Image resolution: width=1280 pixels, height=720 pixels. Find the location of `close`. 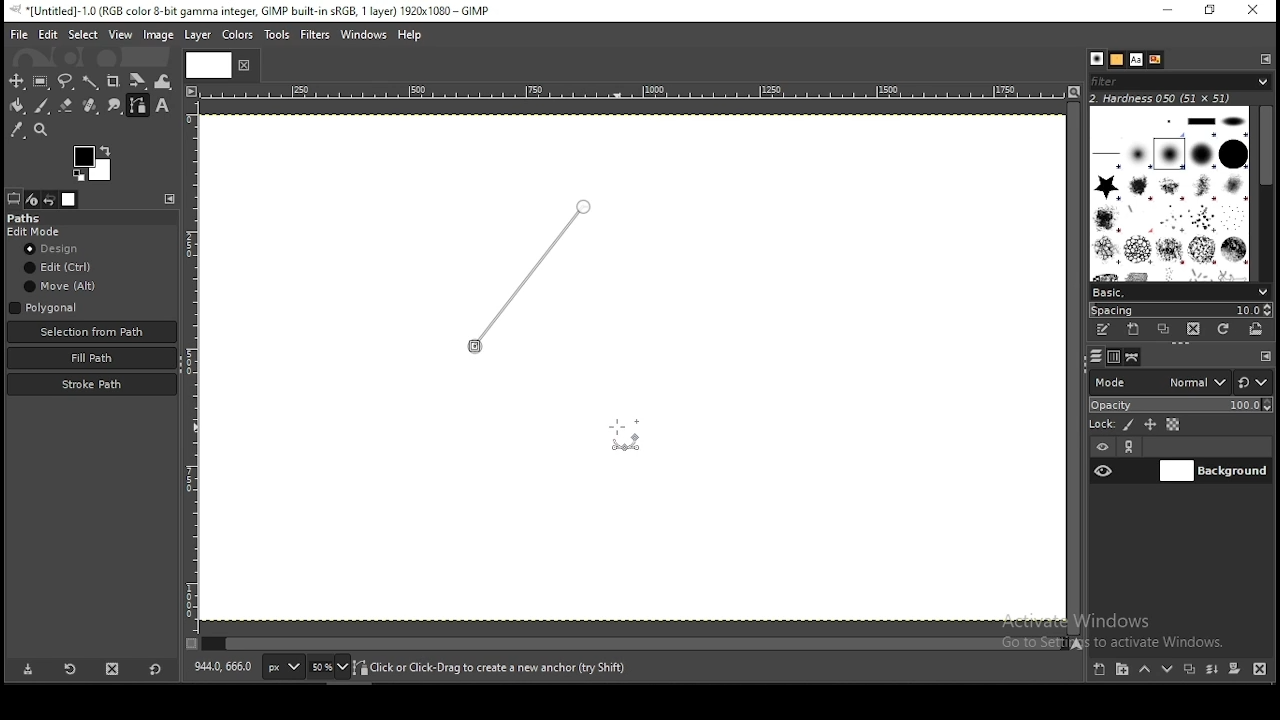

close is located at coordinates (244, 68).